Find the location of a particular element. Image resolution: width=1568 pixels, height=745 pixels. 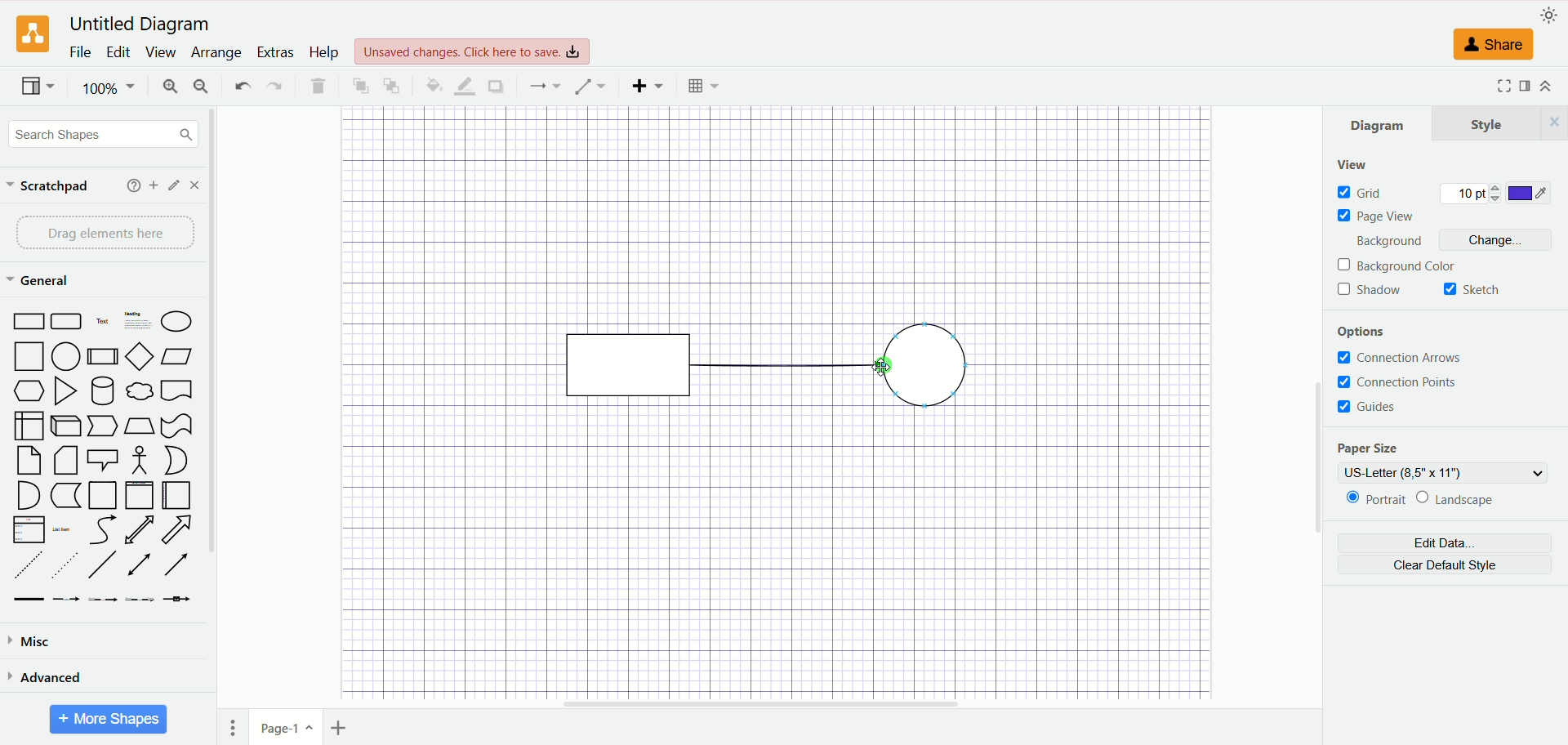

vertical scroll bar is located at coordinates (1317, 408).